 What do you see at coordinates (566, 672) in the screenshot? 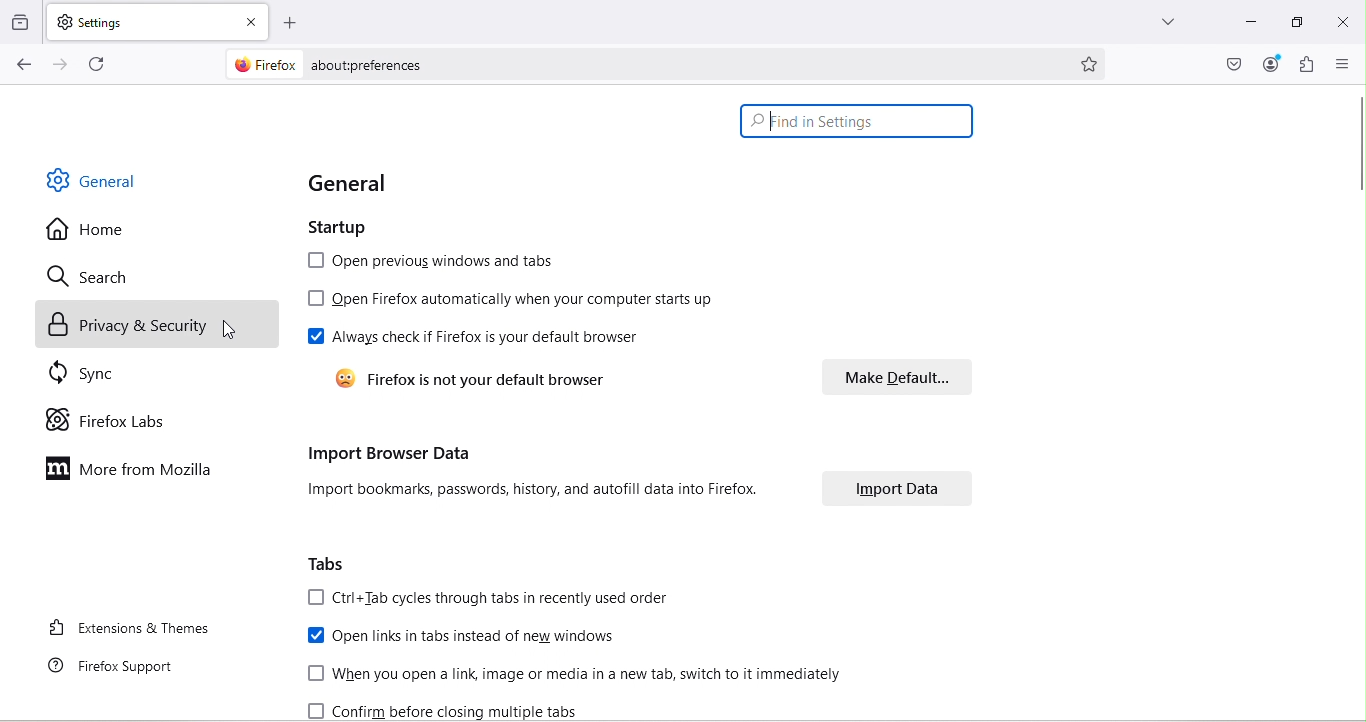
I see `When you open a link, image or media in a new tab, switch to it immediately` at bounding box center [566, 672].